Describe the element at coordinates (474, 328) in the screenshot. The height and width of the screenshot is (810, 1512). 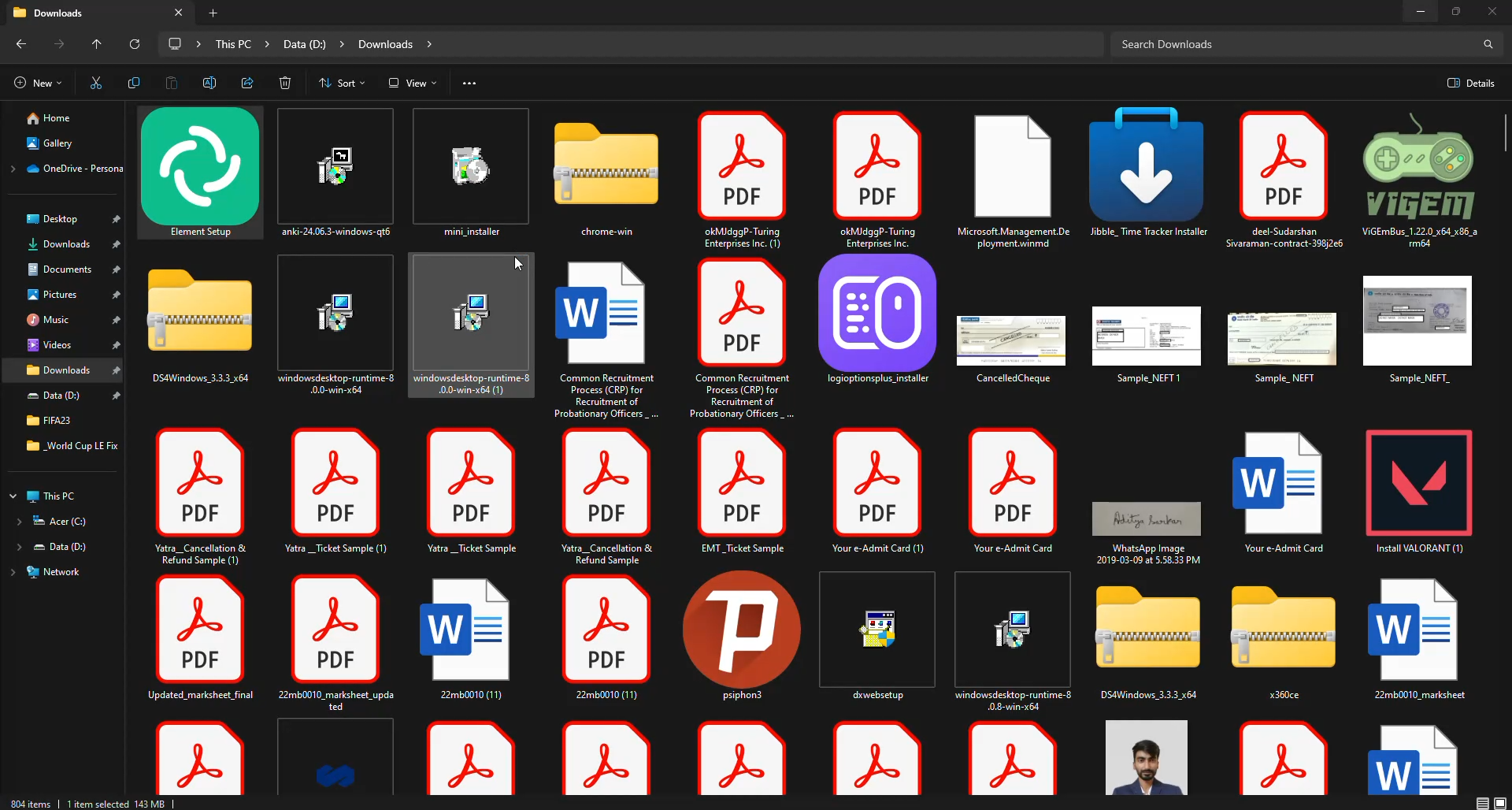
I see `file` at that location.